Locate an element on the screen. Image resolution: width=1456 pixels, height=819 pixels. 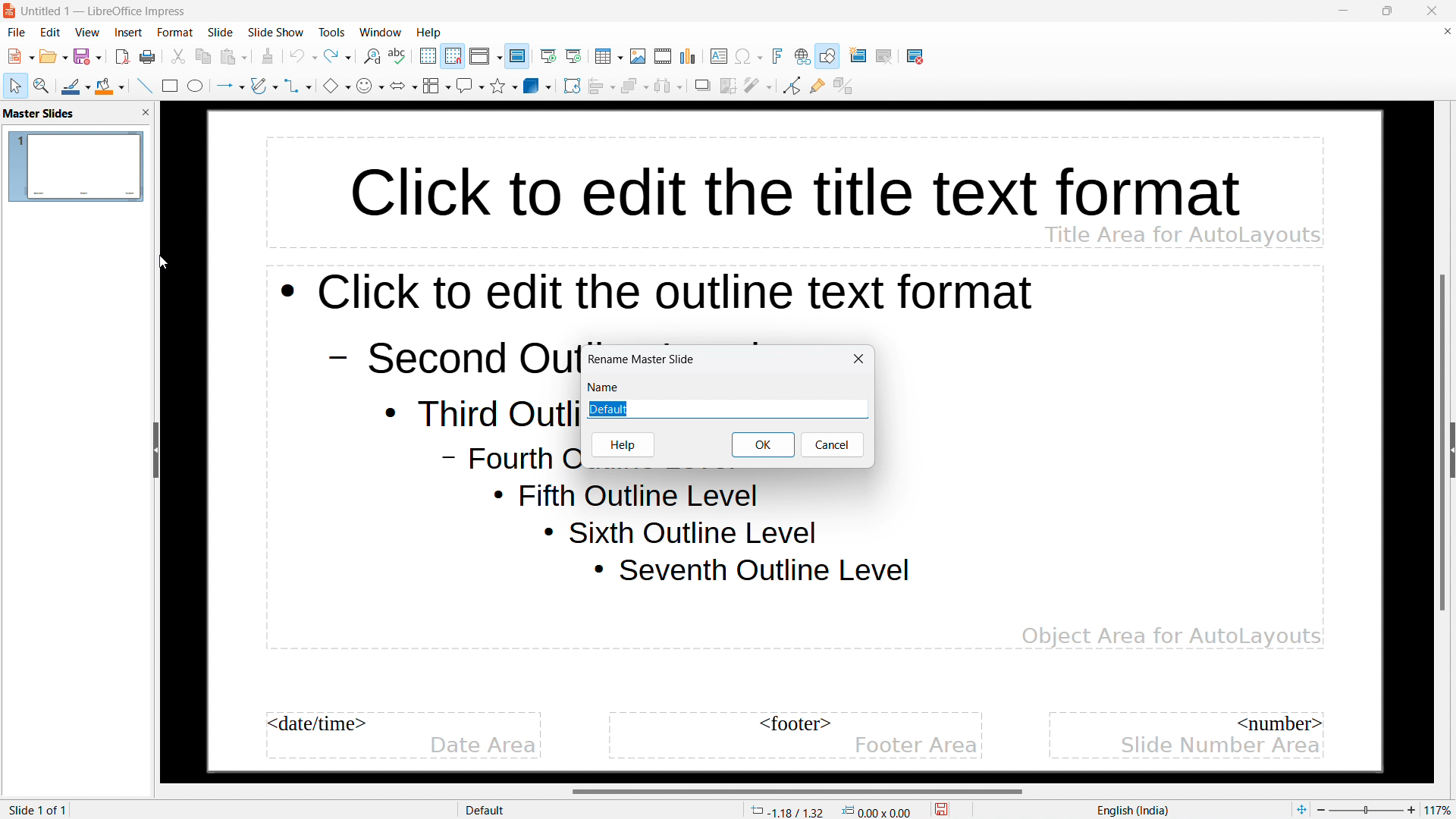
ellipse is located at coordinates (196, 85).